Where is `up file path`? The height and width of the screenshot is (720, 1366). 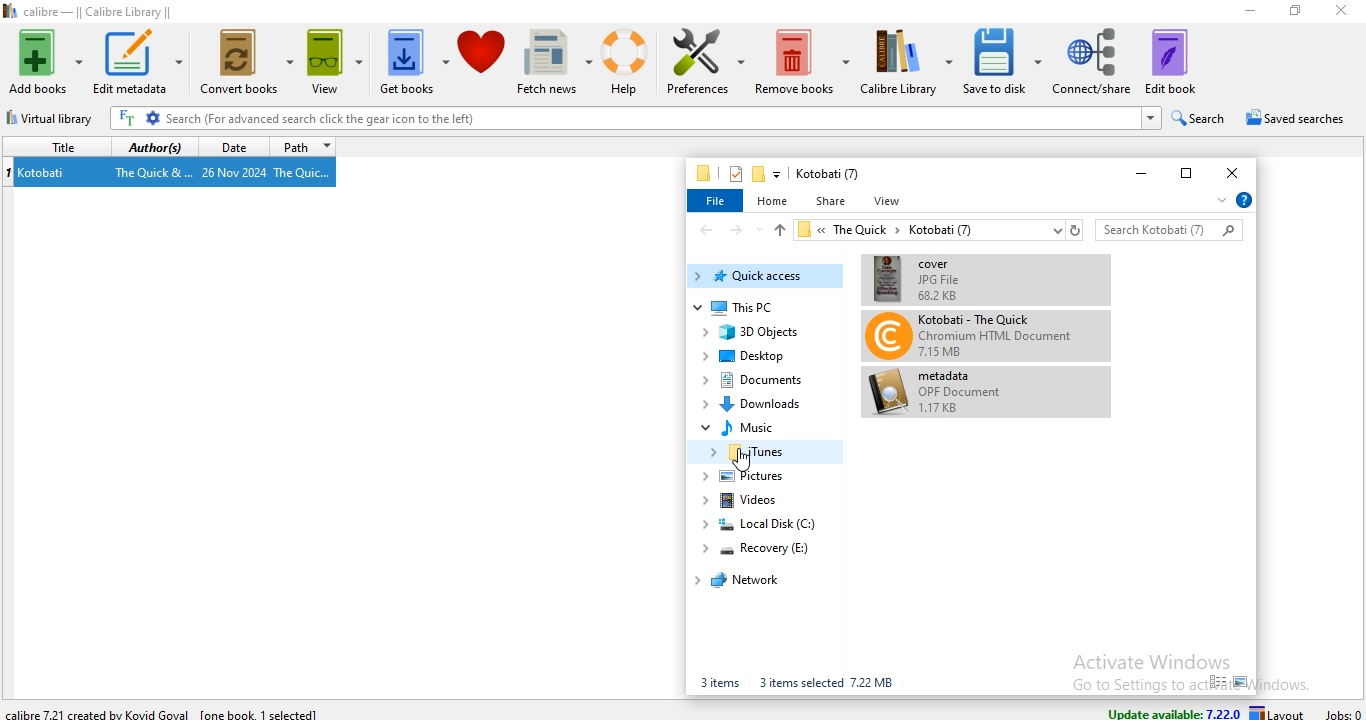 up file path is located at coordinates (778, 230).